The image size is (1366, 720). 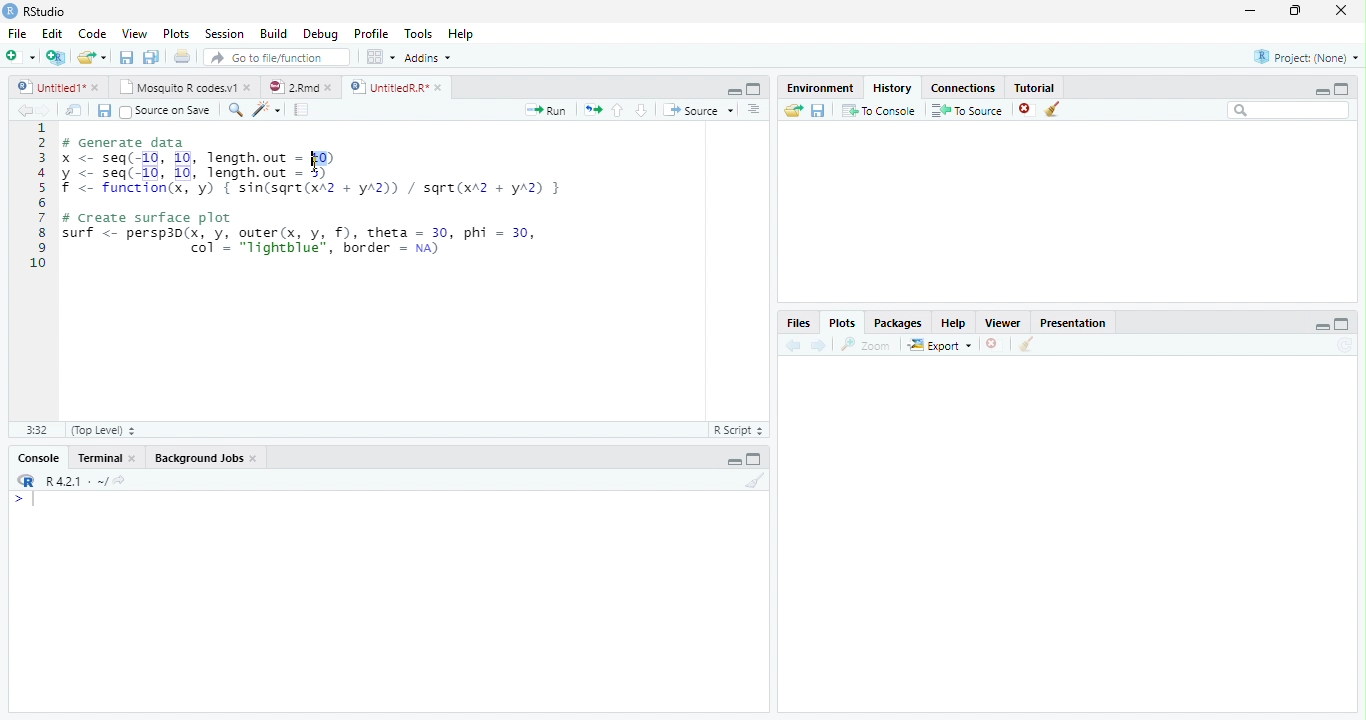 What do you see at coordinates (84, 57) in the screenshot?
I see `Open an existing file` at bounding box center [84, 57].